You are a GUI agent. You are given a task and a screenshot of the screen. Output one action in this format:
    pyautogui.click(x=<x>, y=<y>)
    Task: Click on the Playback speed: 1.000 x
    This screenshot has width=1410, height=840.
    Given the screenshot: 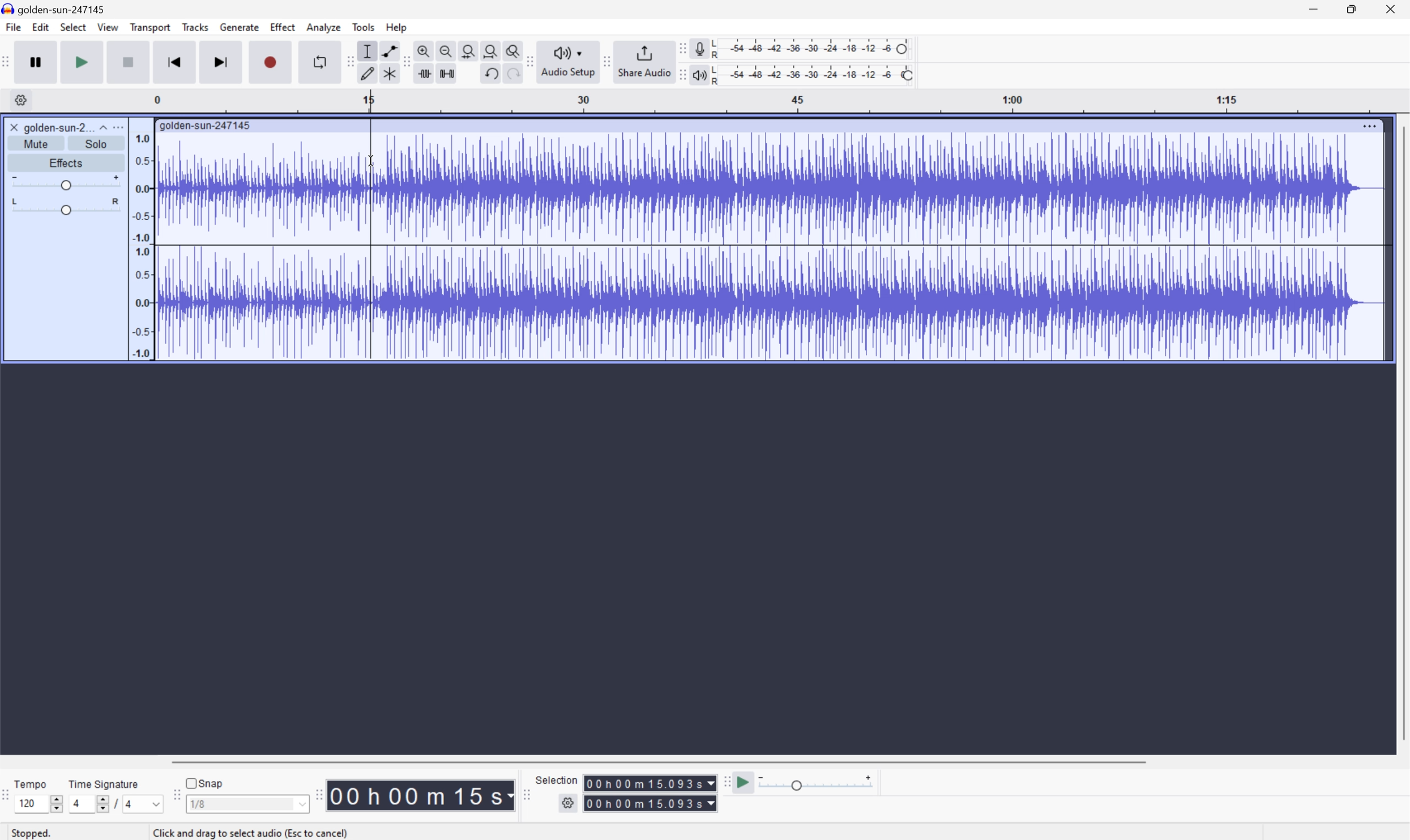 What is the action you would take?
    pyautogui.click(x=818, y=783)
    